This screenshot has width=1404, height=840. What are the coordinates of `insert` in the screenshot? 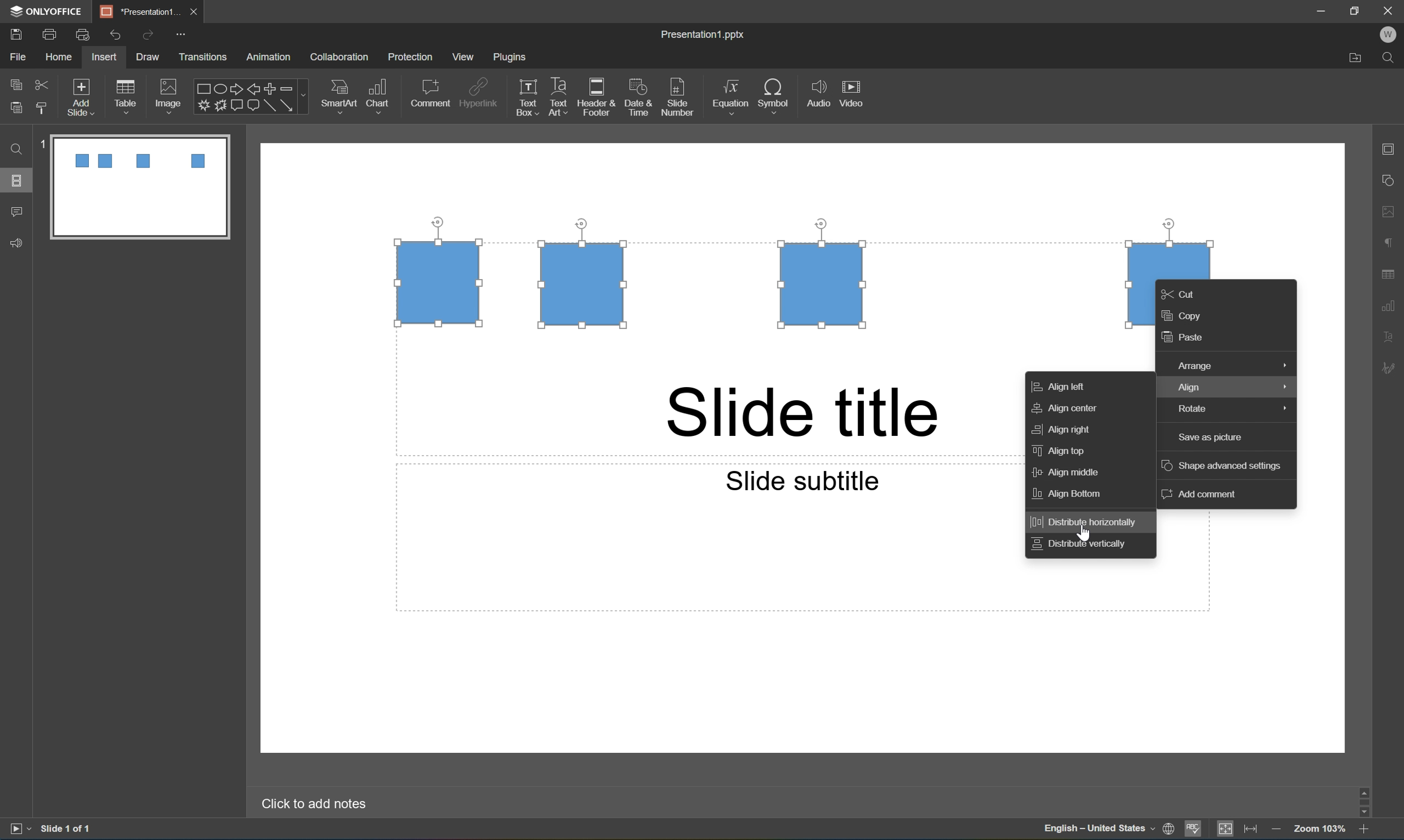 It's located at (105, 57).